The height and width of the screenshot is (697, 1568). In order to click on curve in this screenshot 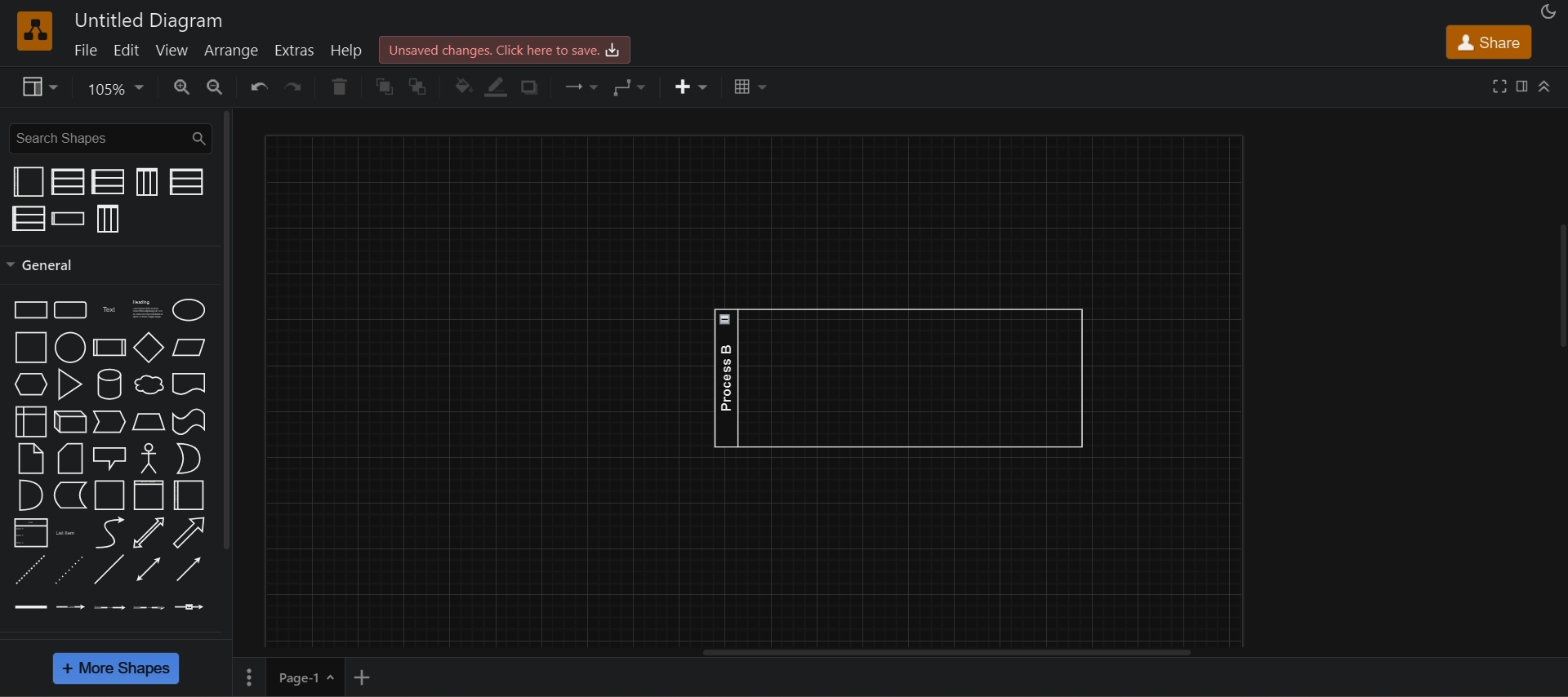, I will do `click(106, 532)`.